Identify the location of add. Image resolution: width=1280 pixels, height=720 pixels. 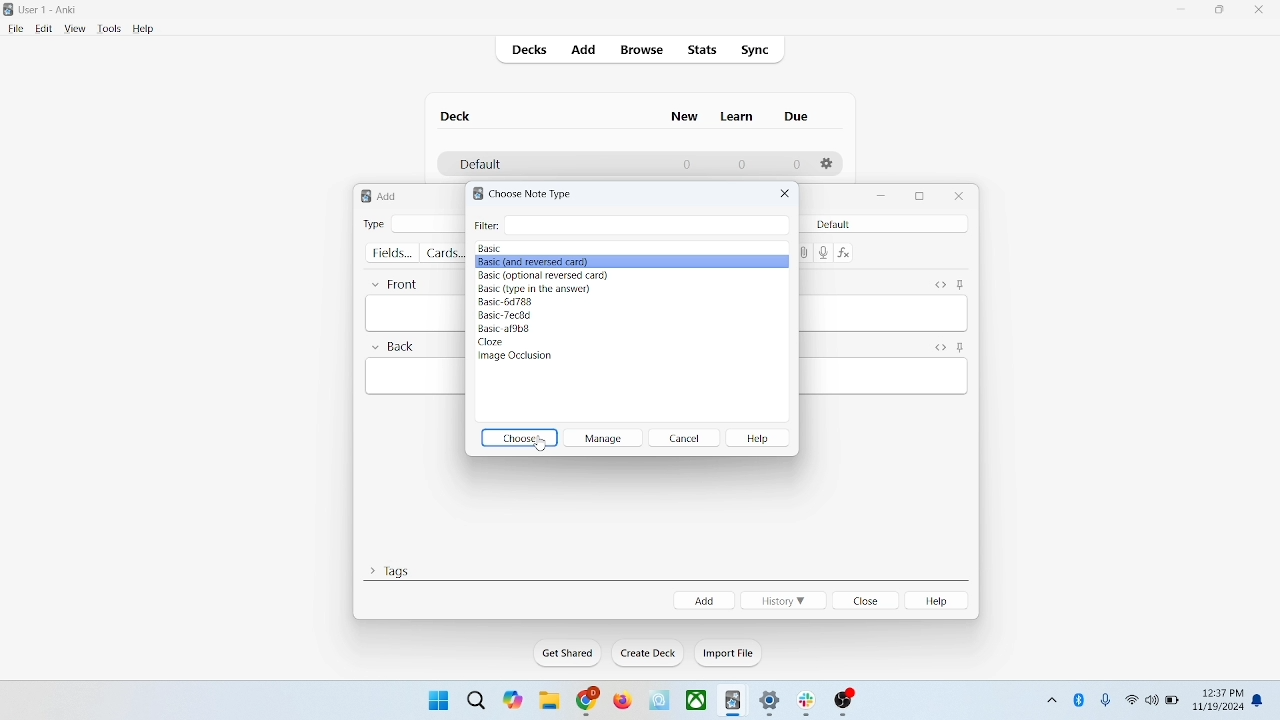
(390, 196).